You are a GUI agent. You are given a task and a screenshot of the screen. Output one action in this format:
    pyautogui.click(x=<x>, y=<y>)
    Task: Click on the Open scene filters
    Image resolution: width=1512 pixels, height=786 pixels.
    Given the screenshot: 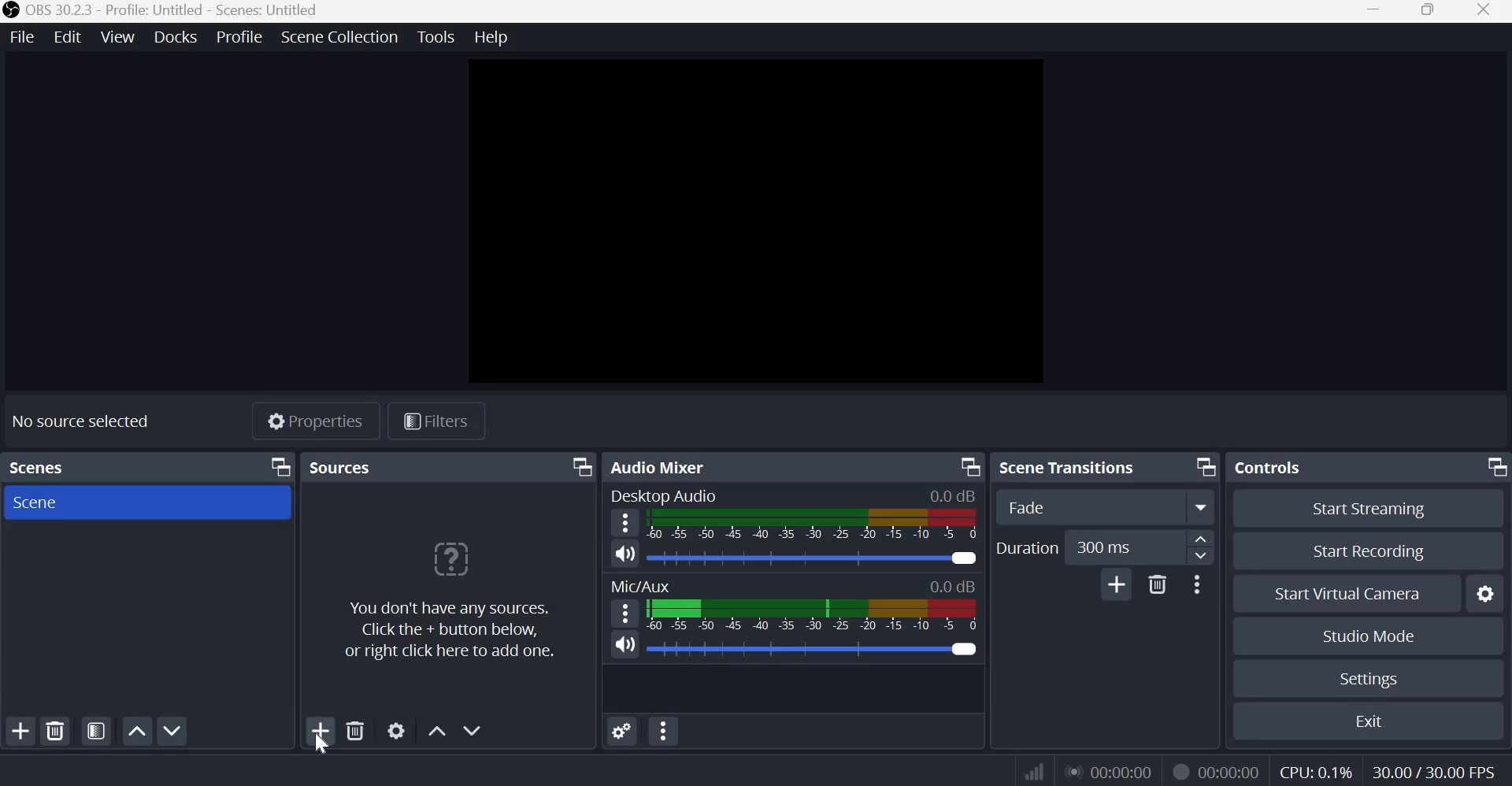 What is the action you would take?
    pyautogui.click(x=96, y=732)
    